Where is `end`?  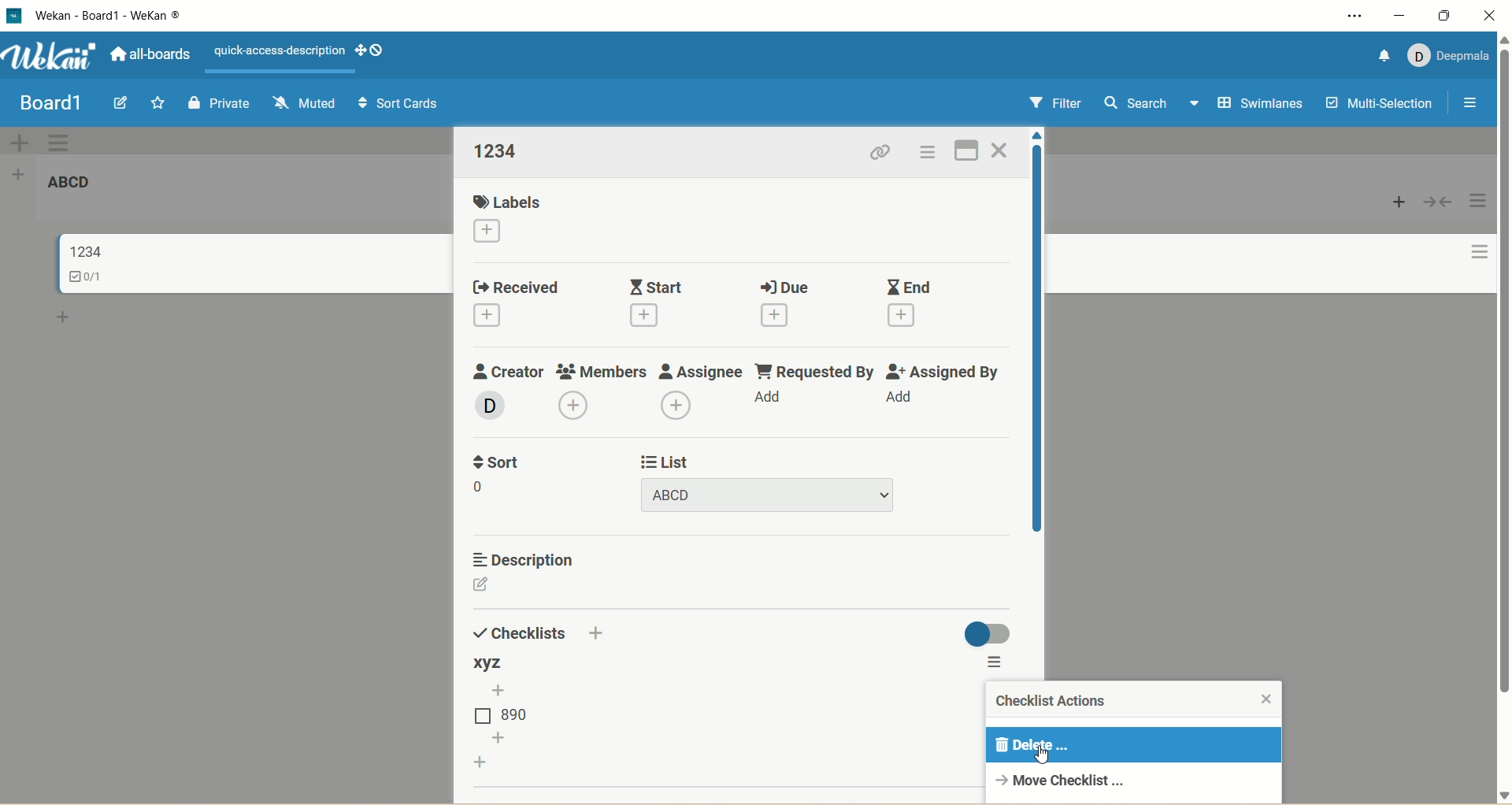 end is located at coordinates (914, 286).